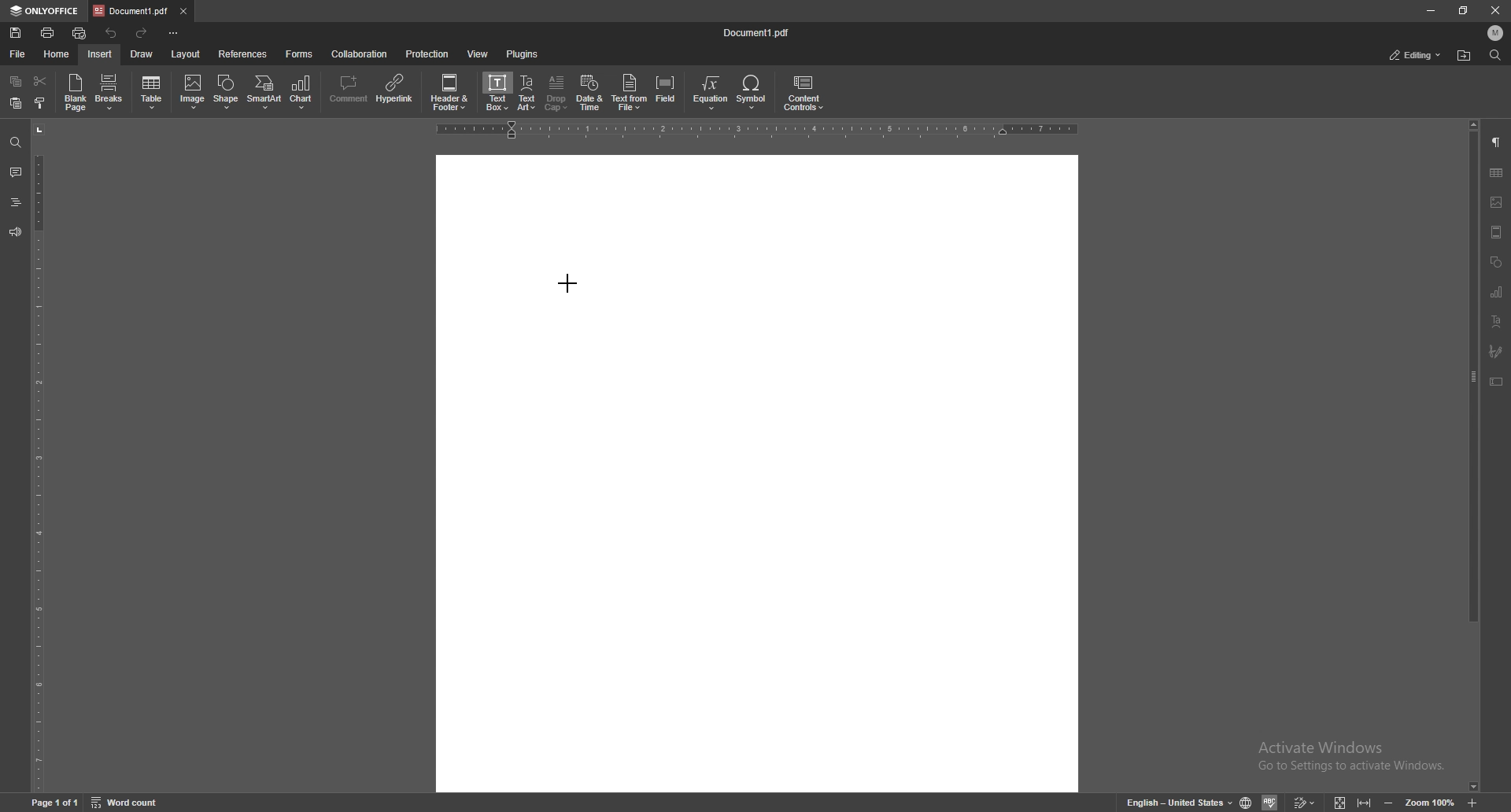 This screenshot has width=1511, height=812. What do you see at coordinates (14, 143) in the screenshot?
I see `find` at bounding box center [14, 143].